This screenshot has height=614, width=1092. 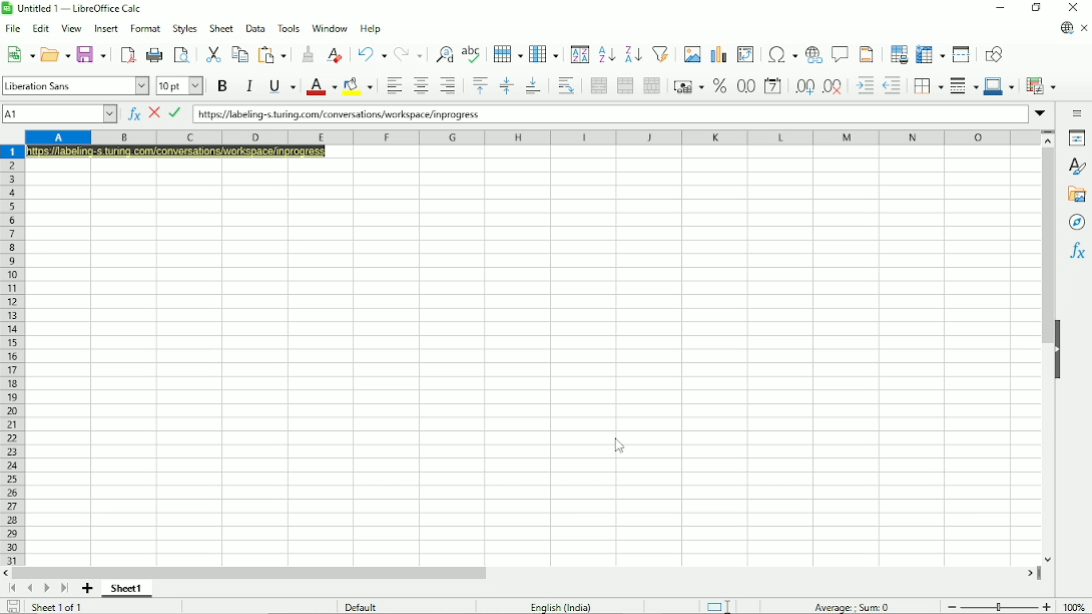 What do you see at coordinates (866, 53) in the screenshot?
I see `Headers and footers` at bounding box center [866, 53].